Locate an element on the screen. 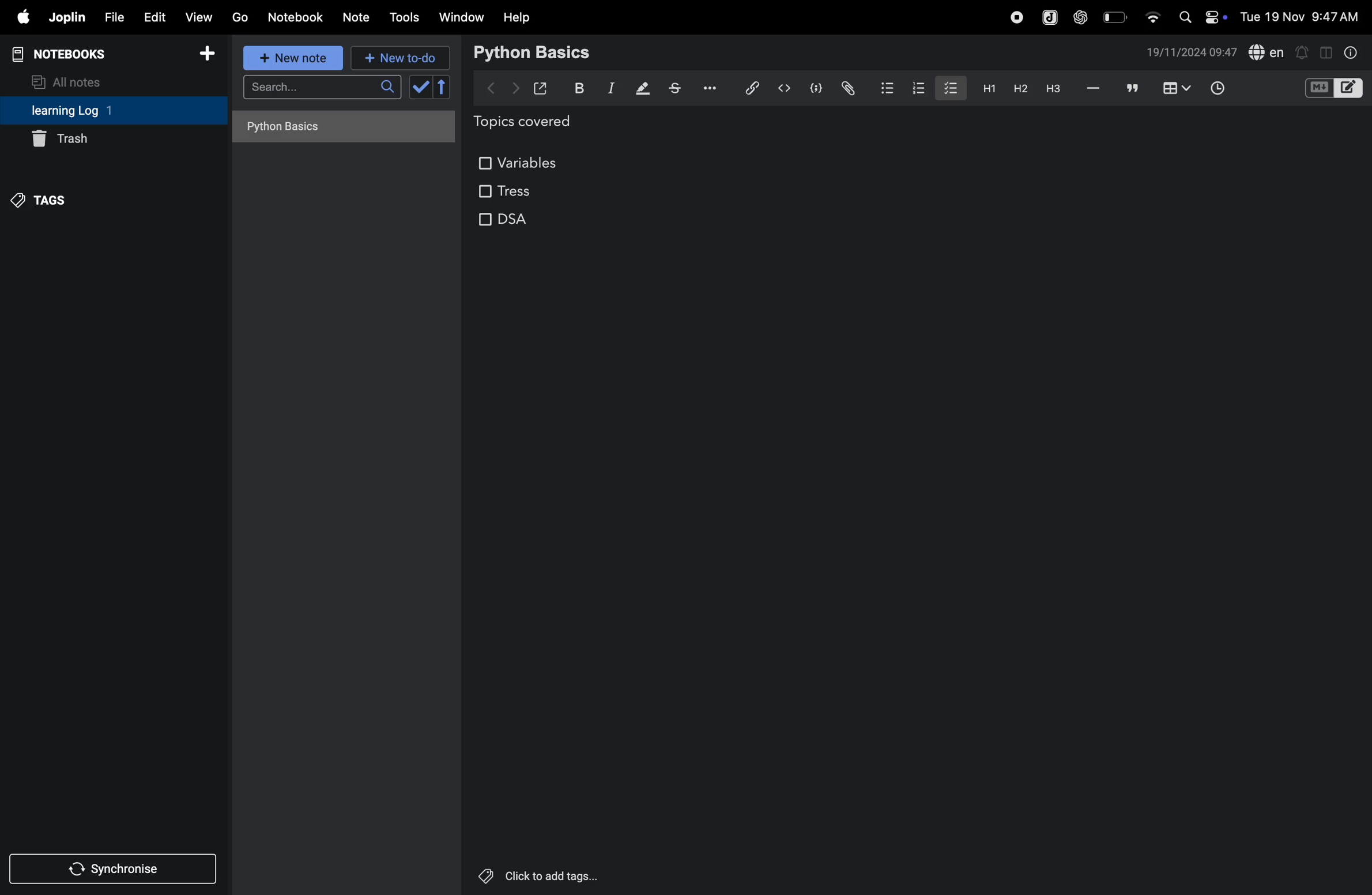 The image size is (1372, 895). add table is located at coordinates (1174, 89).